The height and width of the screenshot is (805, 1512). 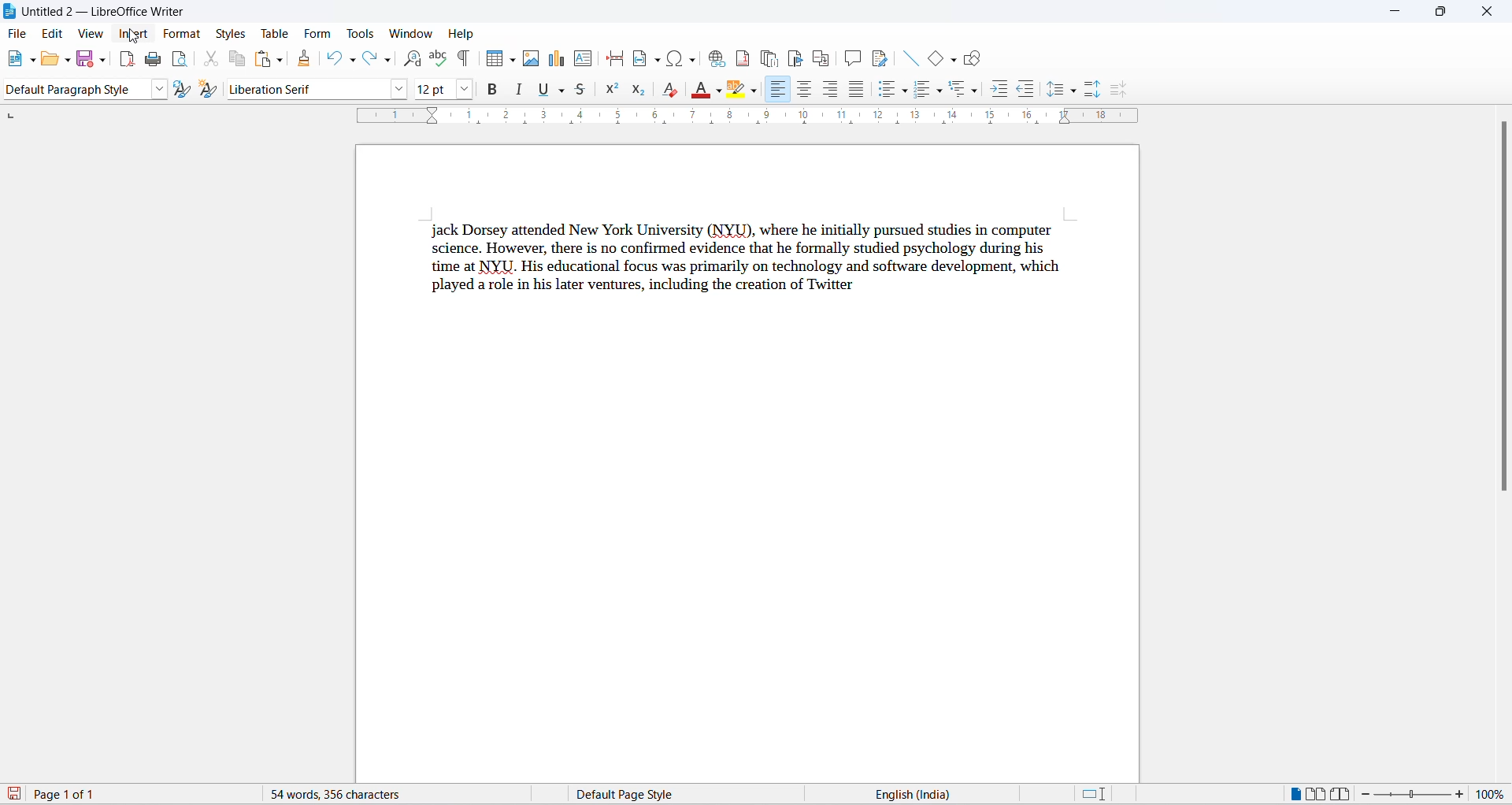 What do you see at coordinates (439, 57) in the screenshot?
I see `spelling` at bounding box center [439, 57].